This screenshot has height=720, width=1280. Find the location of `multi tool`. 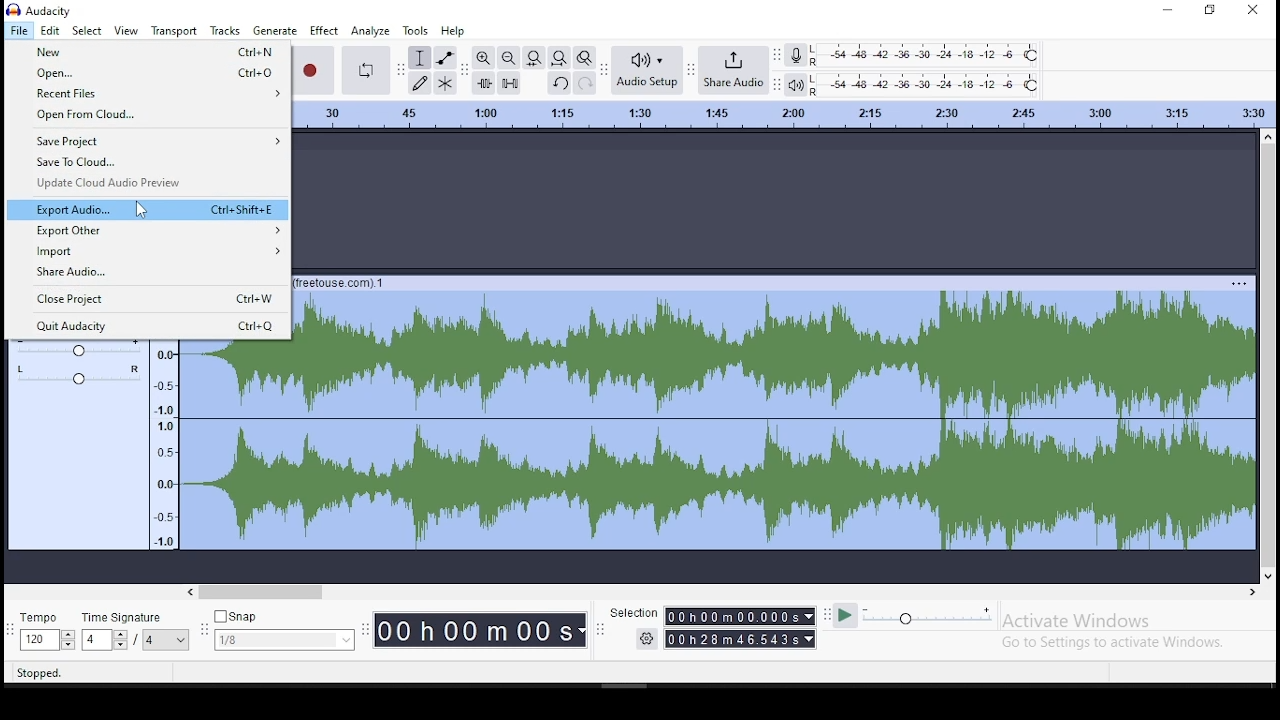

multi tool is located at coordinates (445, 82).